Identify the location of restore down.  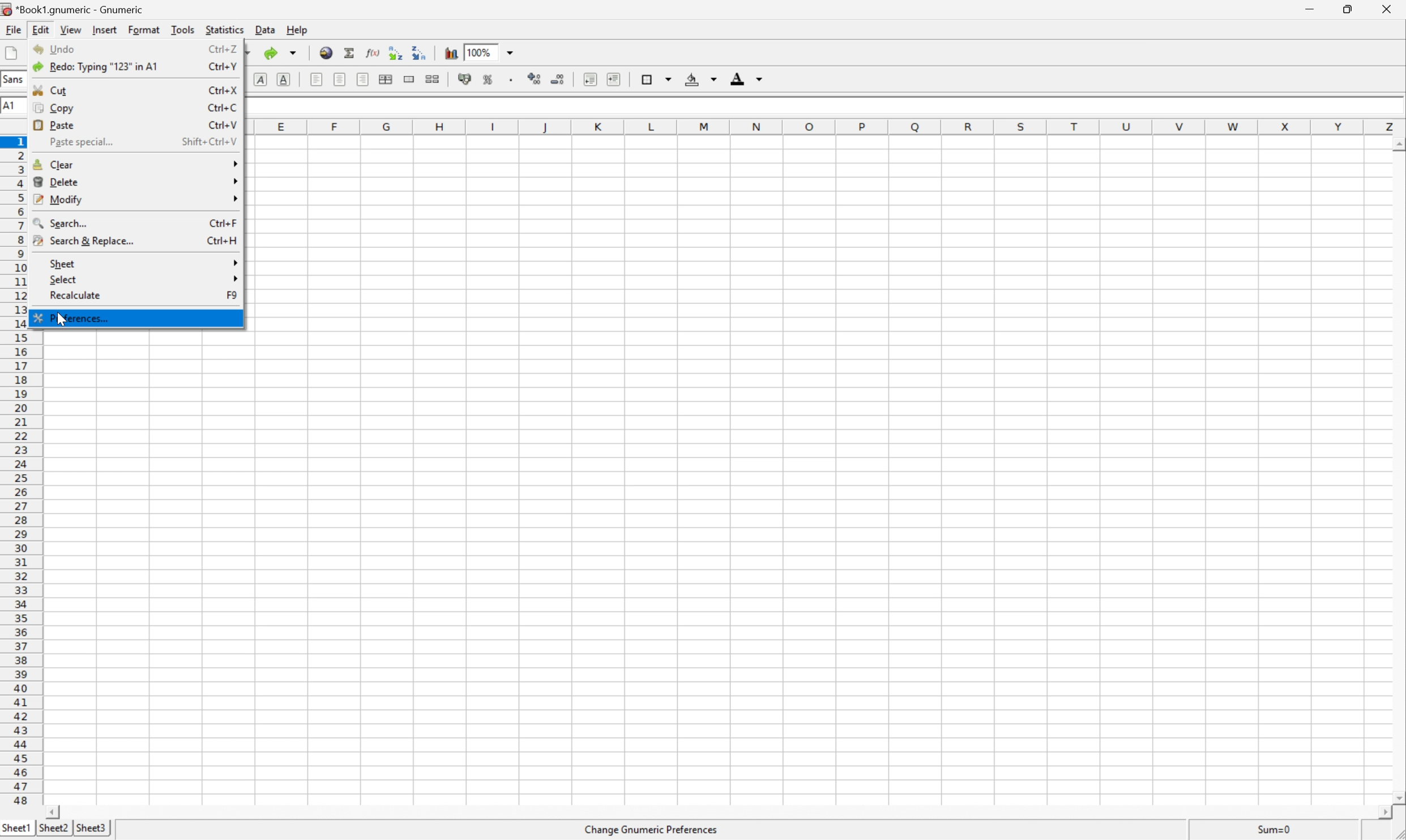
(1353, 10).